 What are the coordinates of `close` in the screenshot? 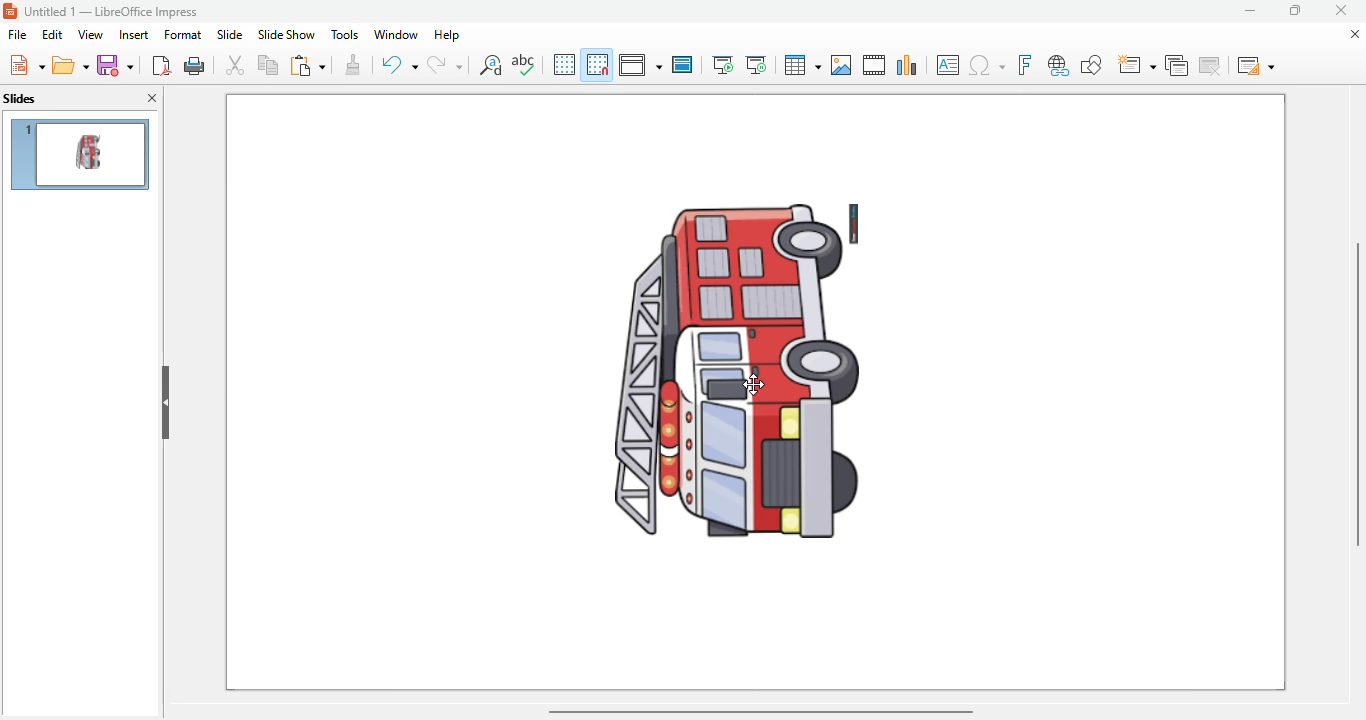 It's located at (1340, 10).